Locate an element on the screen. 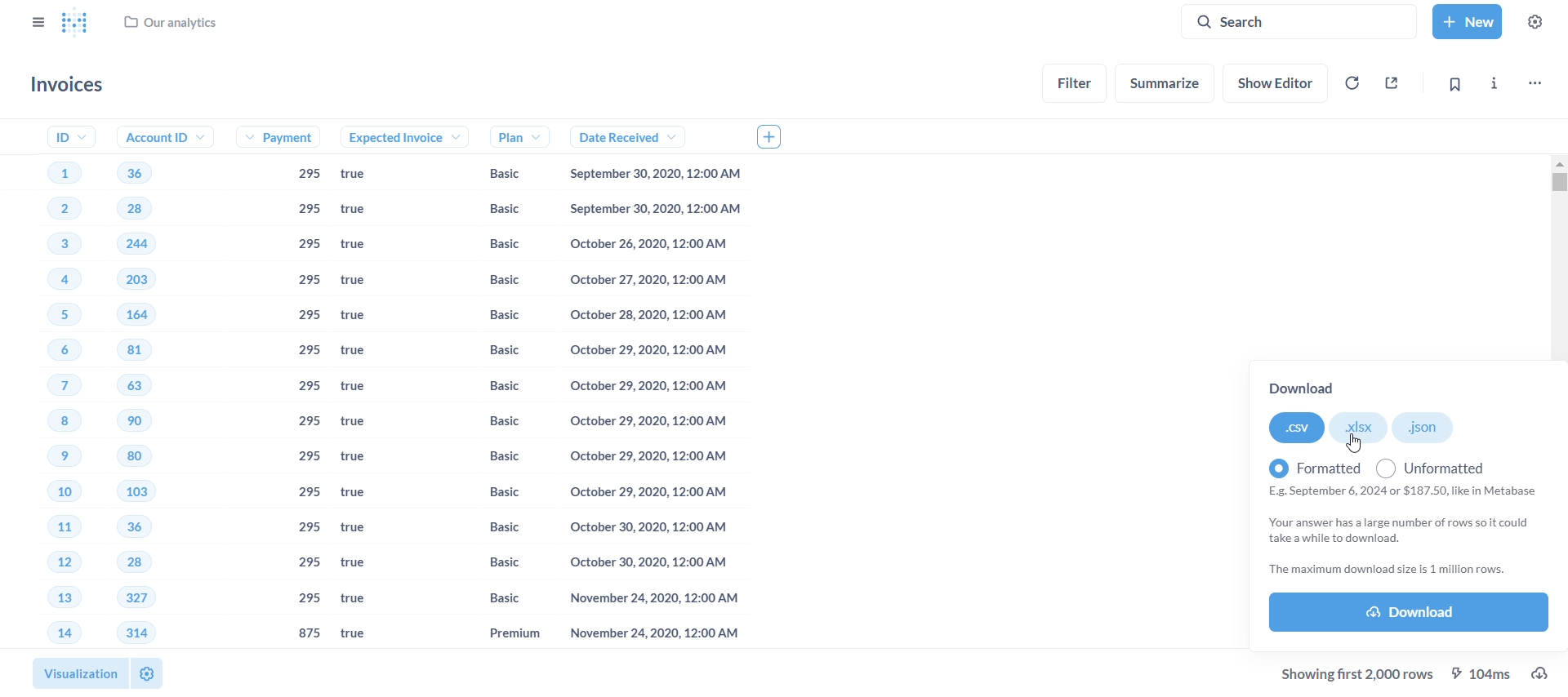  October 27,2020, 12:00 AM is located at coordinates (653, 280).